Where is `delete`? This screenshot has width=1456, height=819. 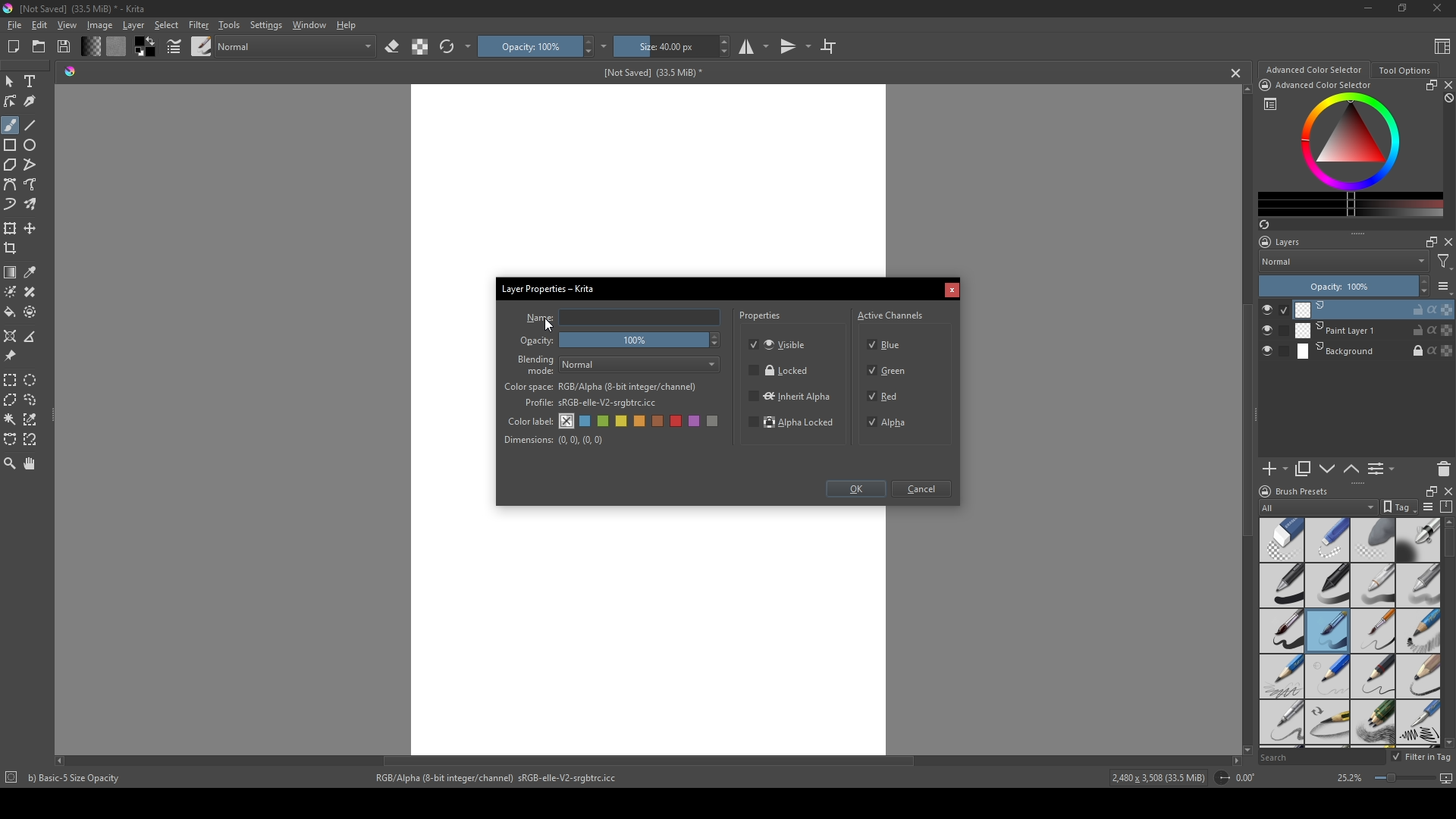 delete is located at coordinates (1444, 469).